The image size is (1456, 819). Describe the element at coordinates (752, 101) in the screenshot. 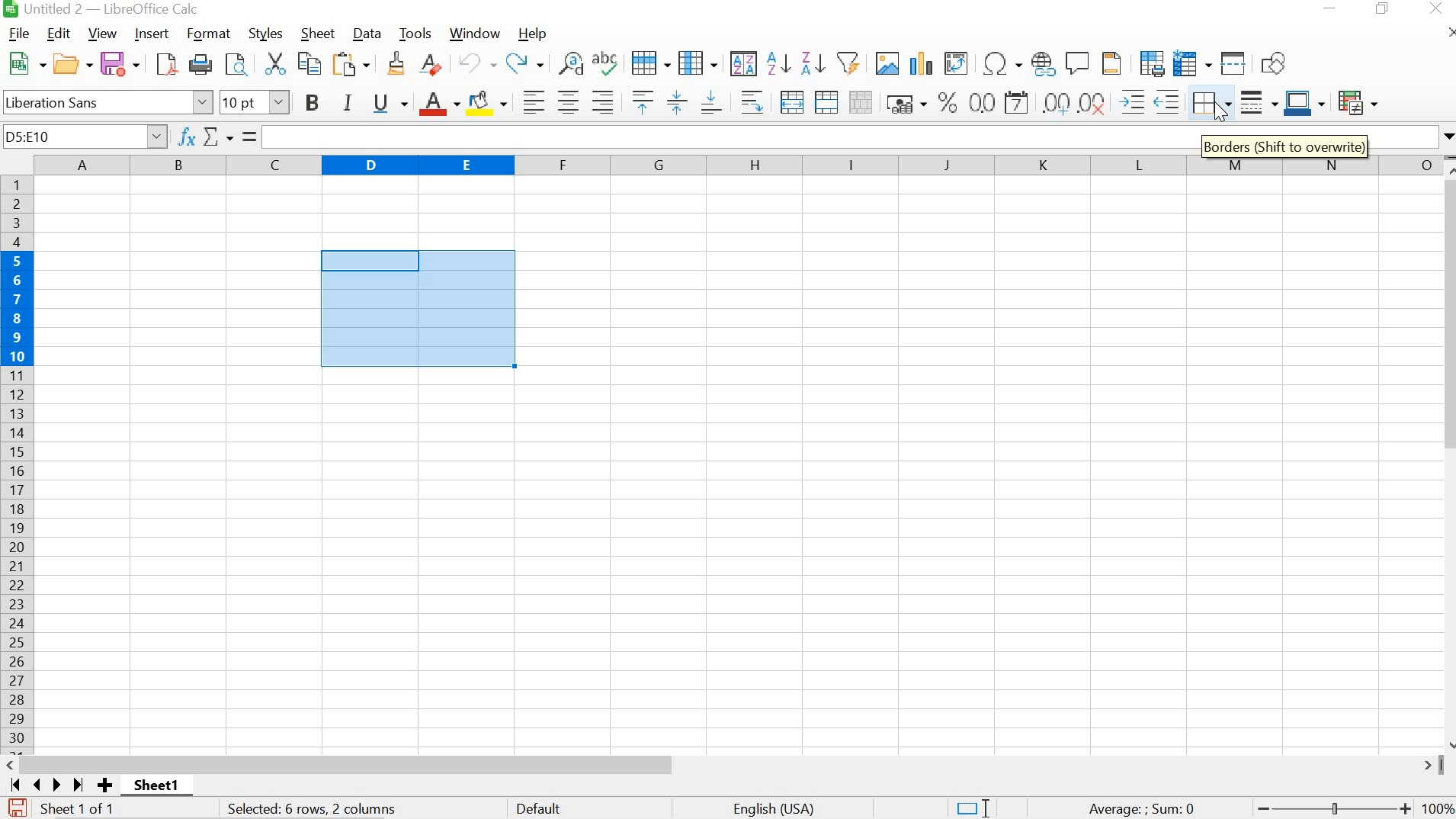

I see `WRAP TEXT` at that location.